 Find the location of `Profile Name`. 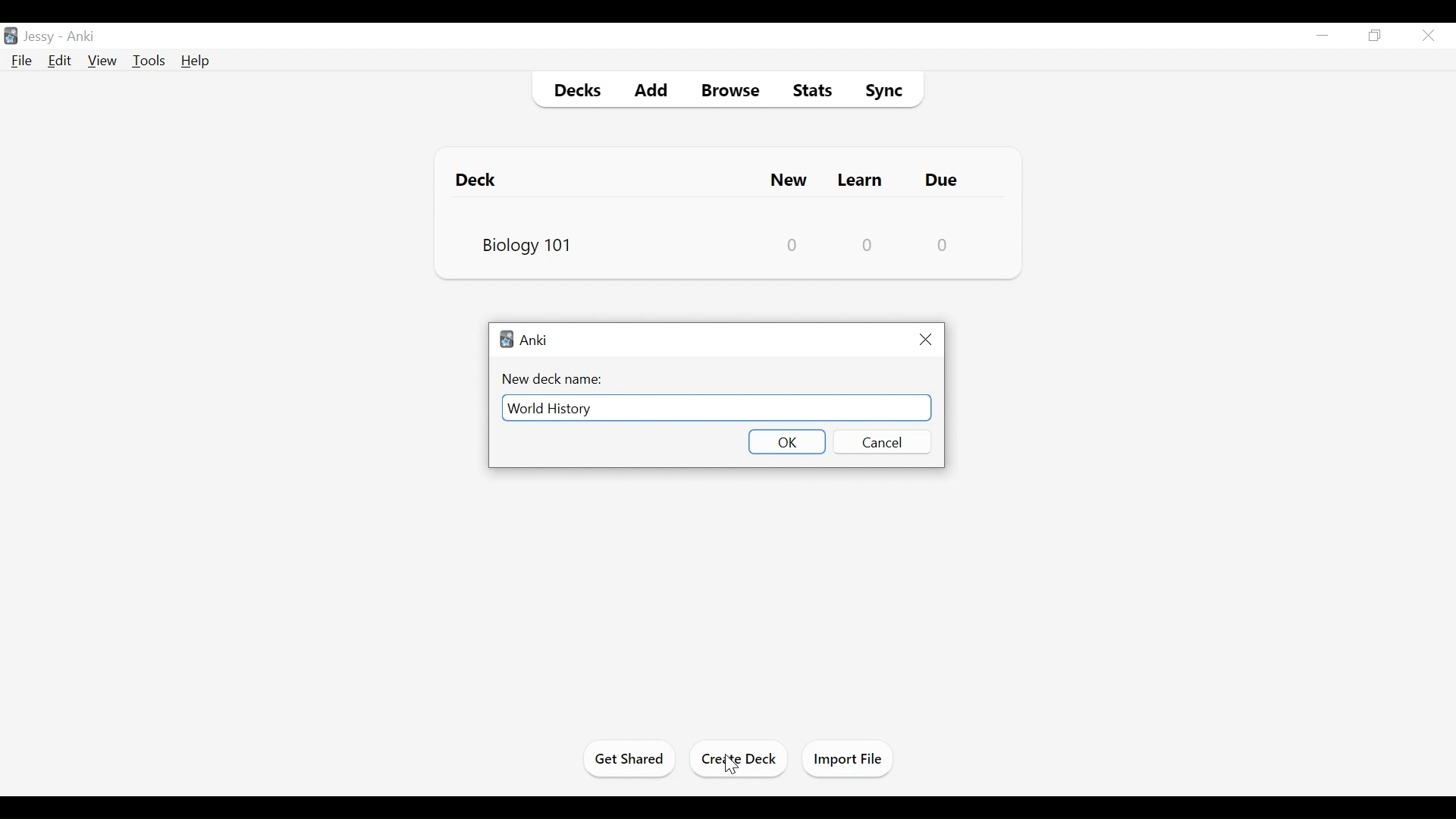

Profile Name is located at coordinates (40, 35).